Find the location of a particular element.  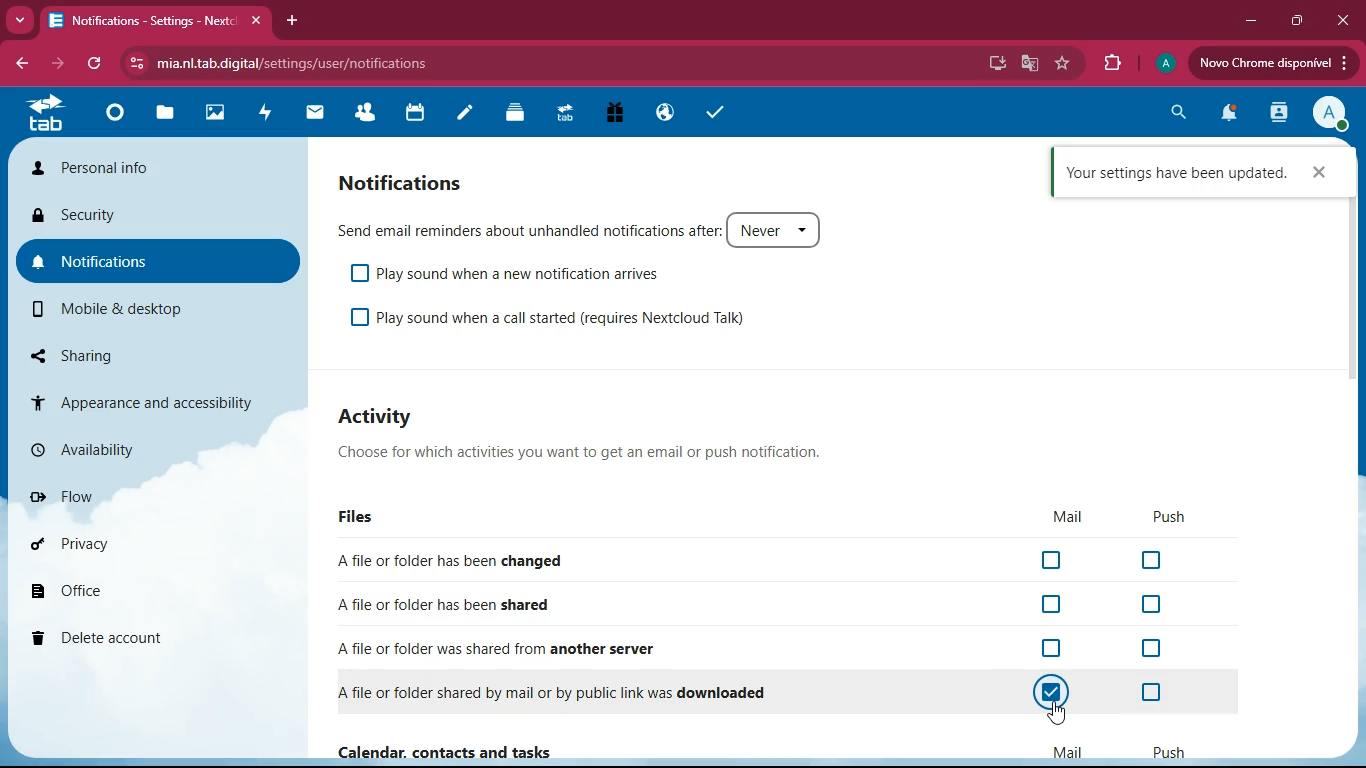

home is located at coordinates (108, 118).